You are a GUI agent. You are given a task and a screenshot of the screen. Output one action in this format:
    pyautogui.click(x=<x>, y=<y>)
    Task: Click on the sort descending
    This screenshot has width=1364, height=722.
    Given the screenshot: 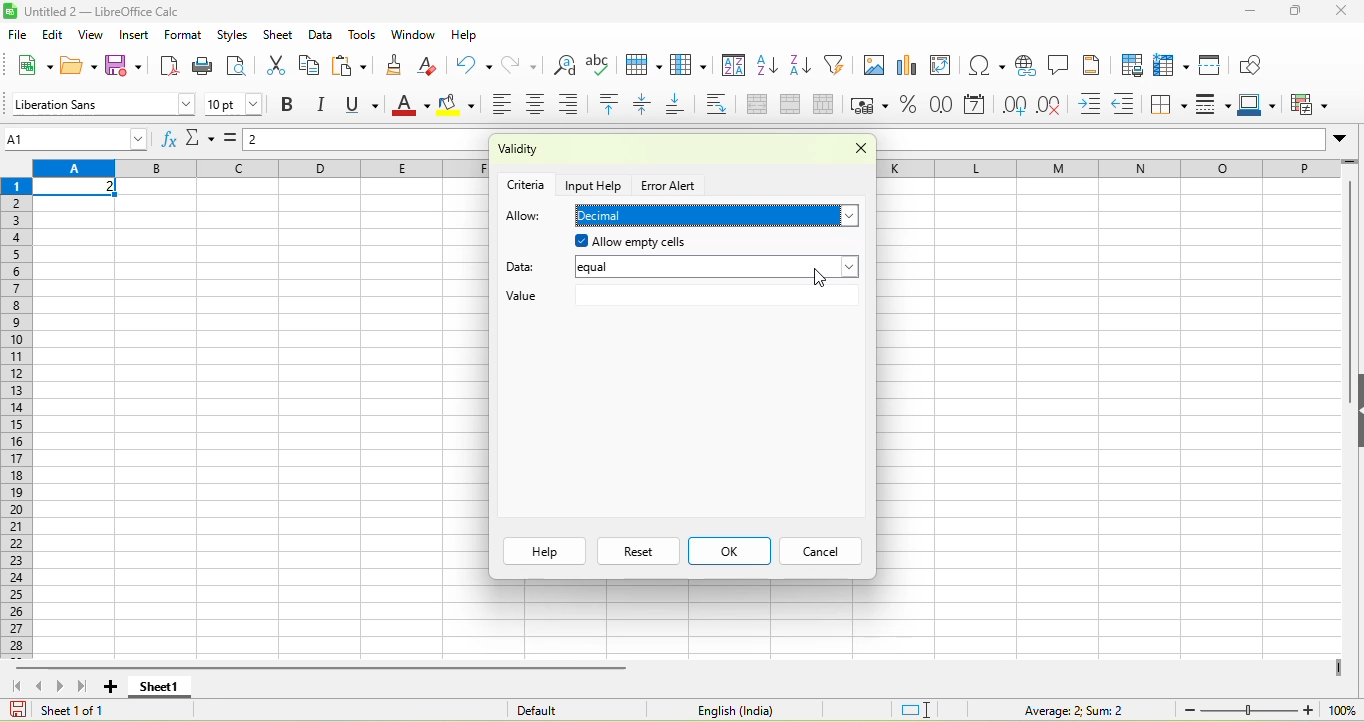 What is the action you would take?
    pyautogui.click(x=803, y=67)
    